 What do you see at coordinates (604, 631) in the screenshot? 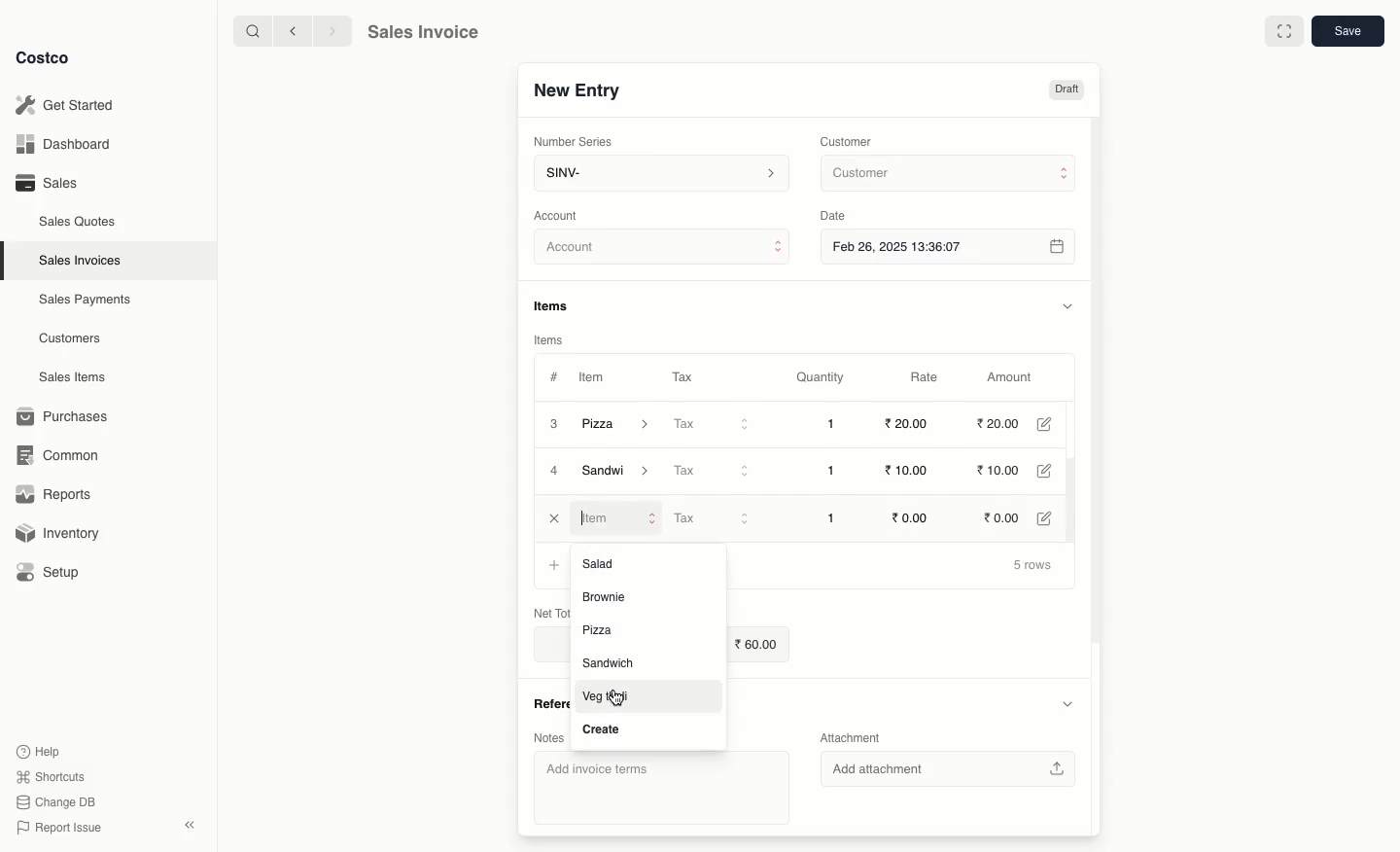
I see `Pizza` at bounding box center [604, 631].